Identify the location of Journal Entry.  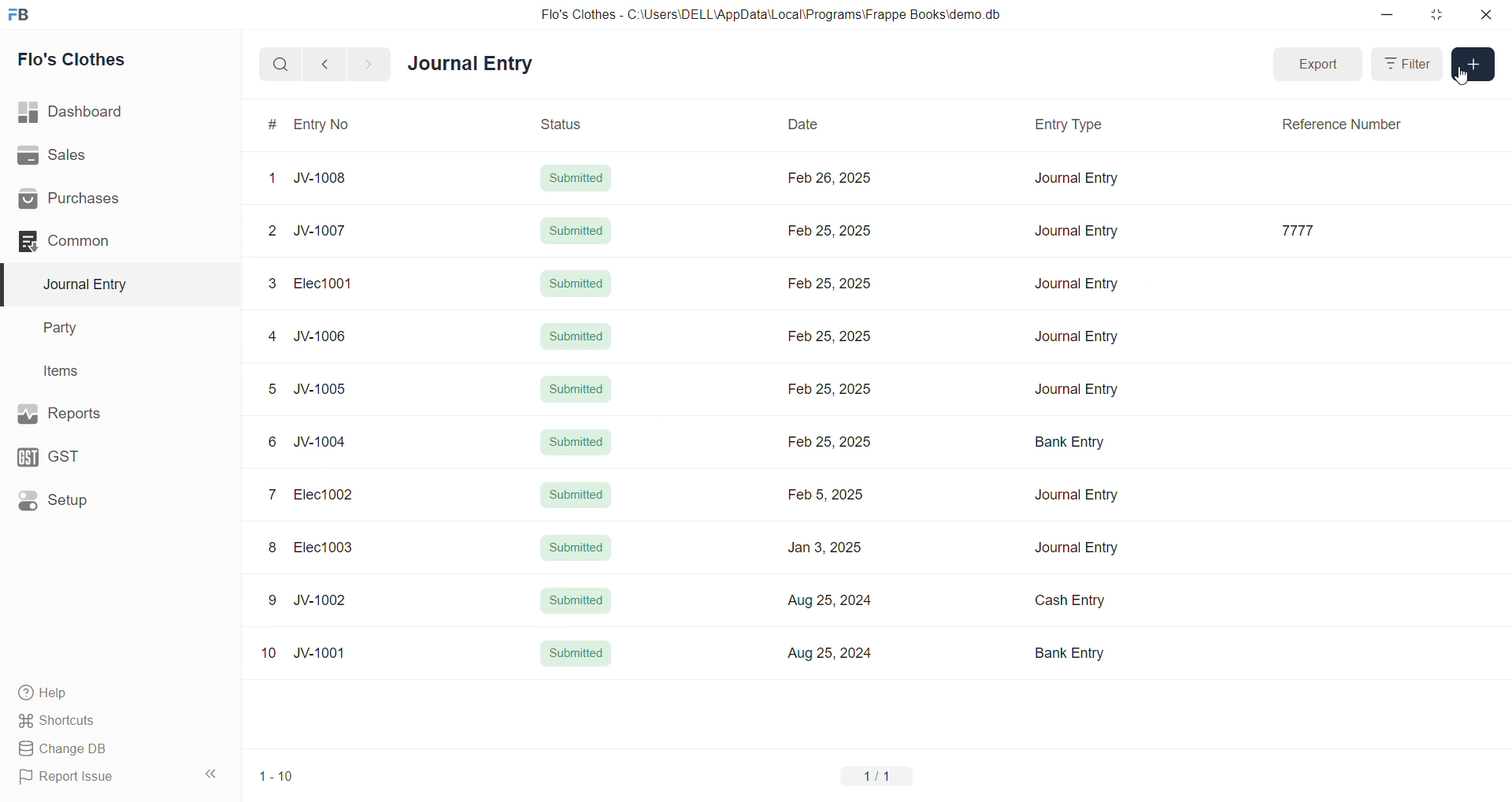
(1077, 232).